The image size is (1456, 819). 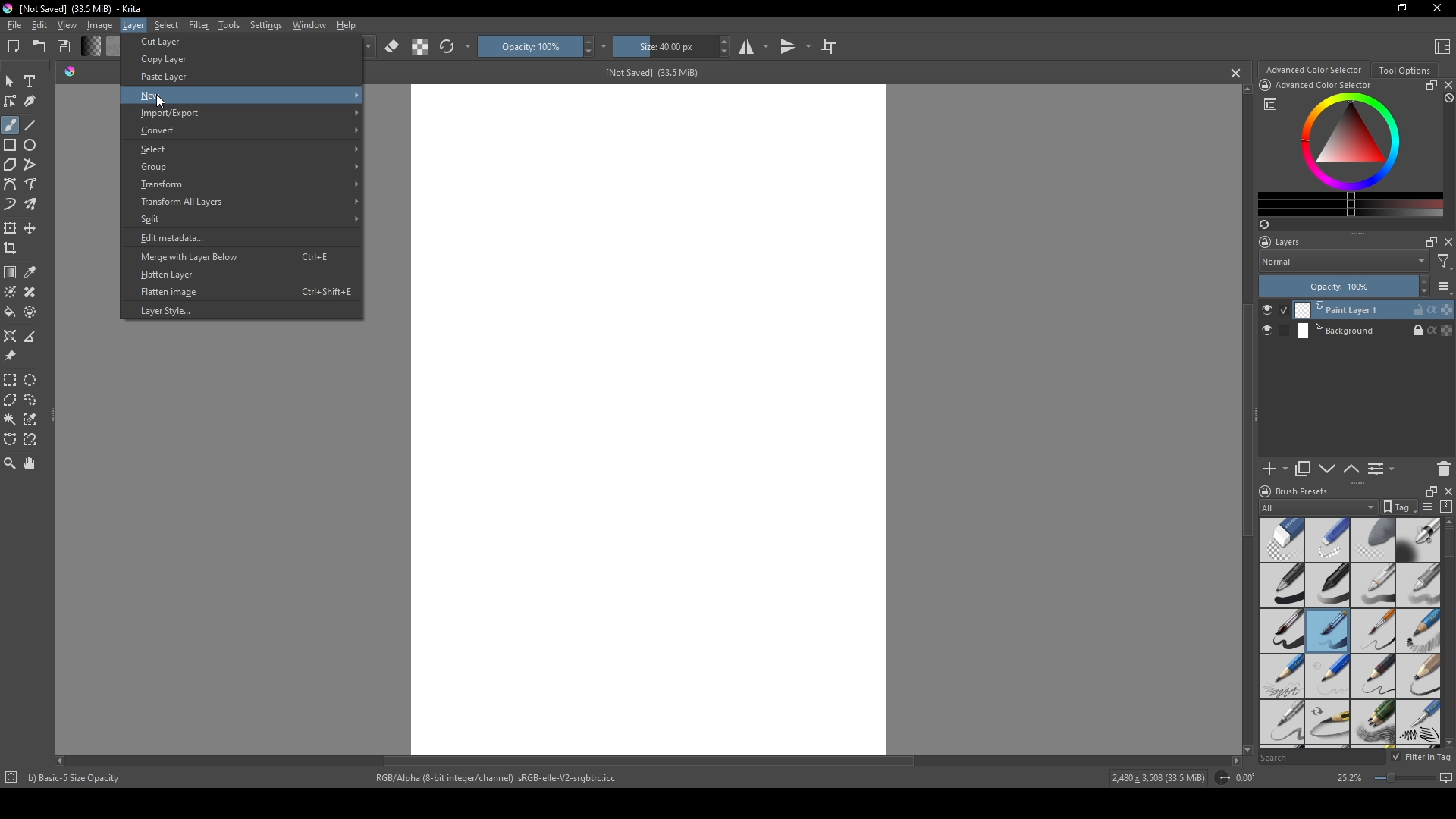 What do you see at coordinates (32, 400) in the screenshot?
I see `lasso` at bounding box center [32, 400].